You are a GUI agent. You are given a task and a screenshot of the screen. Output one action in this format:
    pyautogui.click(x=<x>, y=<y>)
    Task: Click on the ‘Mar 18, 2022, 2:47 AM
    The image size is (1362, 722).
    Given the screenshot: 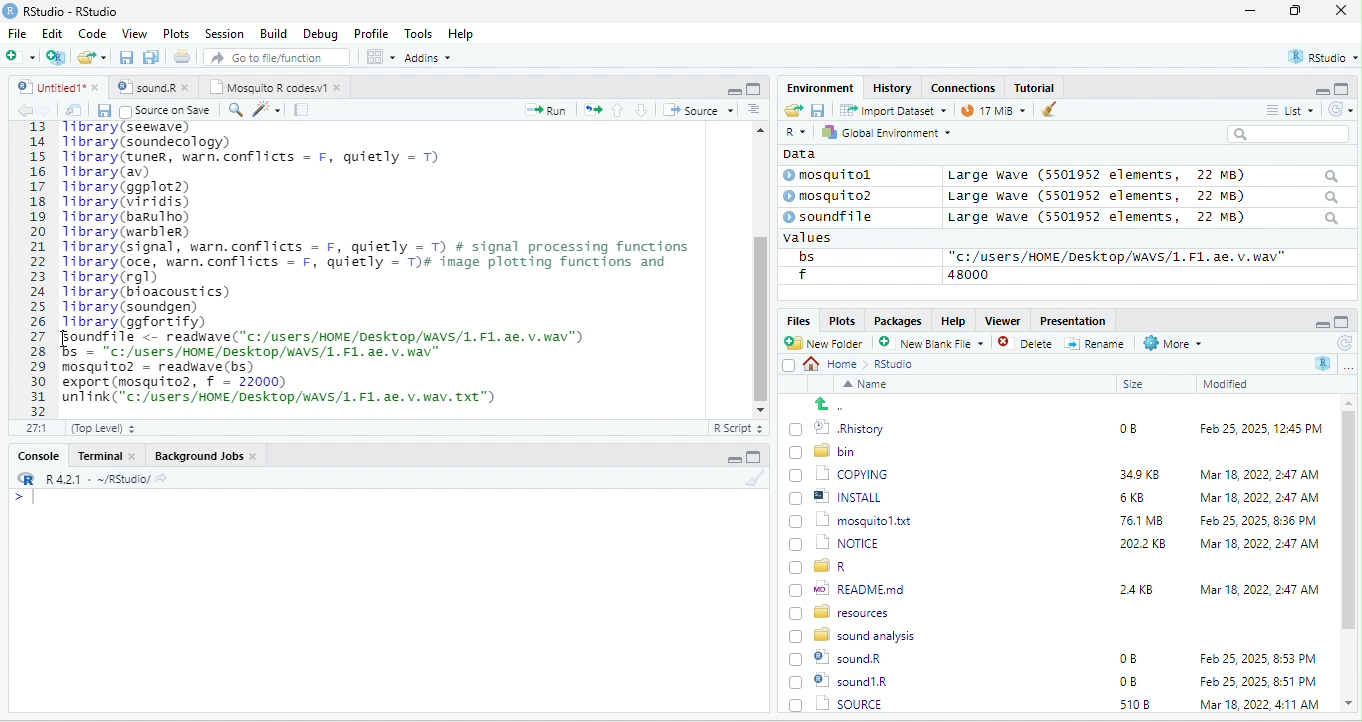 What is the action you would take?
    pyautogui.click(x=1258, y=544)
    